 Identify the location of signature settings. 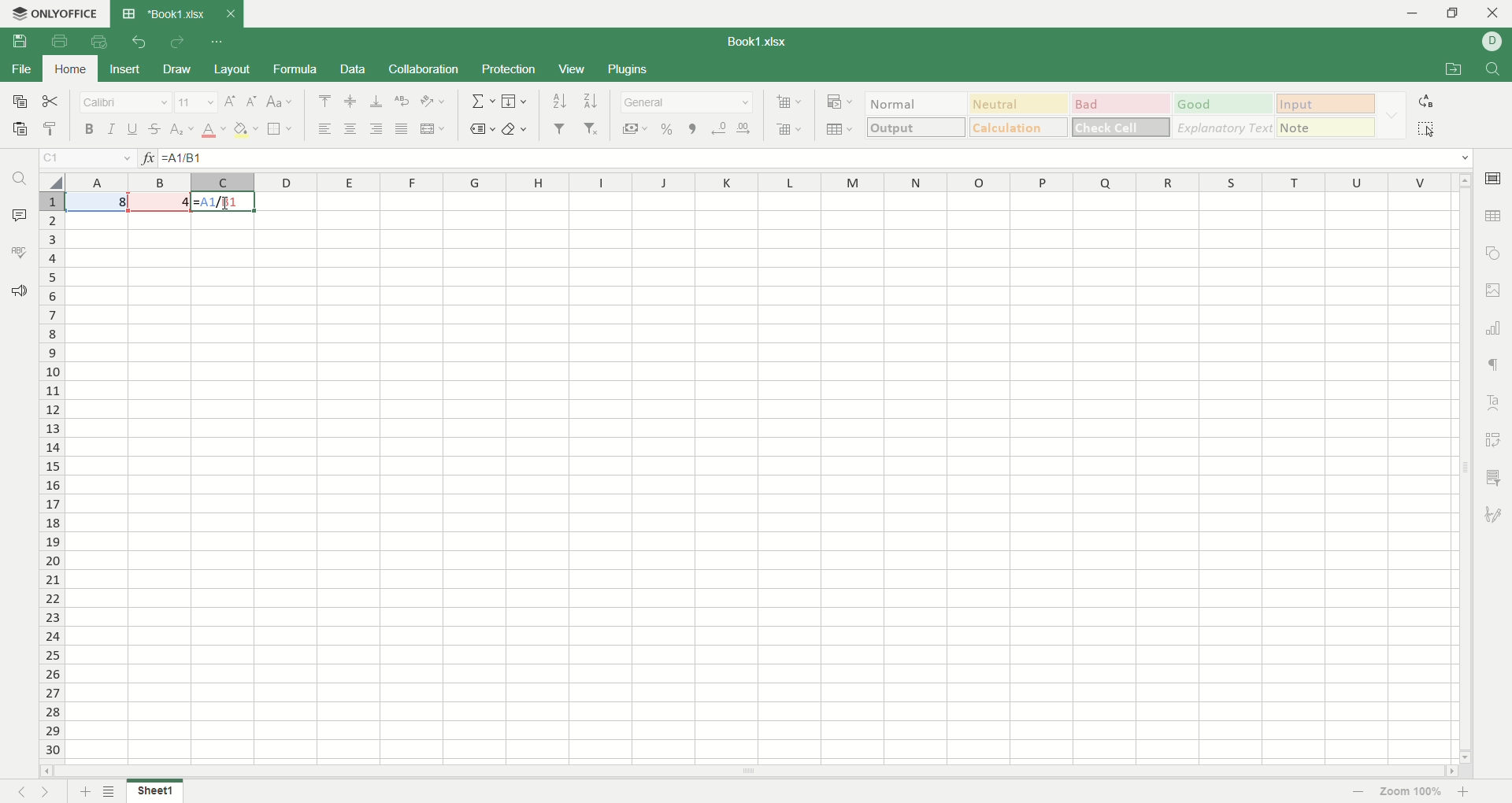
(1494, 513).